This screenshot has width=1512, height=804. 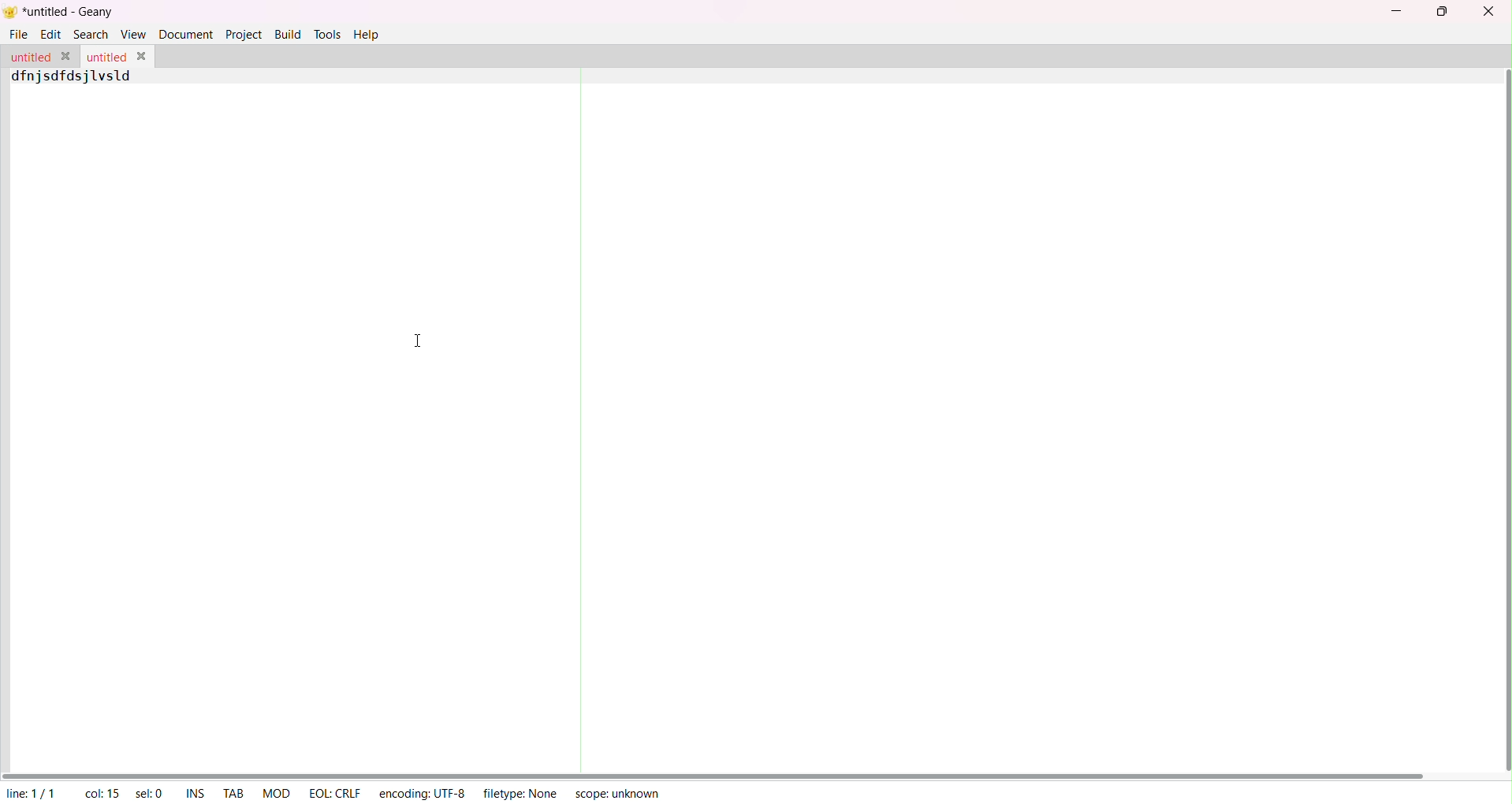 I want to click on untitled, so click(x=30, y=58).